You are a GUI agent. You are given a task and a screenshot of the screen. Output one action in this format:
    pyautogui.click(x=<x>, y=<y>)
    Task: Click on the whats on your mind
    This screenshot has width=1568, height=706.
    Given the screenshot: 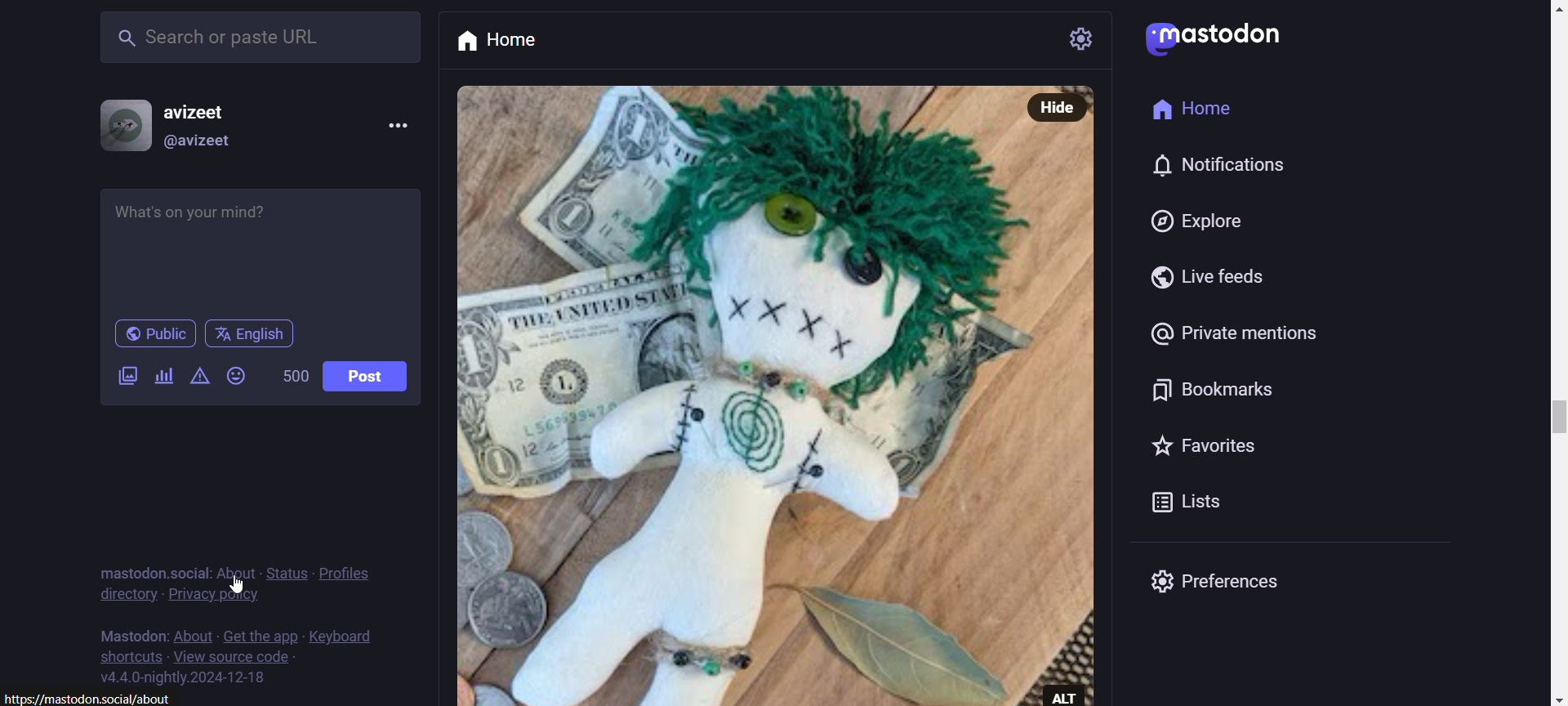 What is the action you would take?
    pyautogui.click(x=262, y=249)
    